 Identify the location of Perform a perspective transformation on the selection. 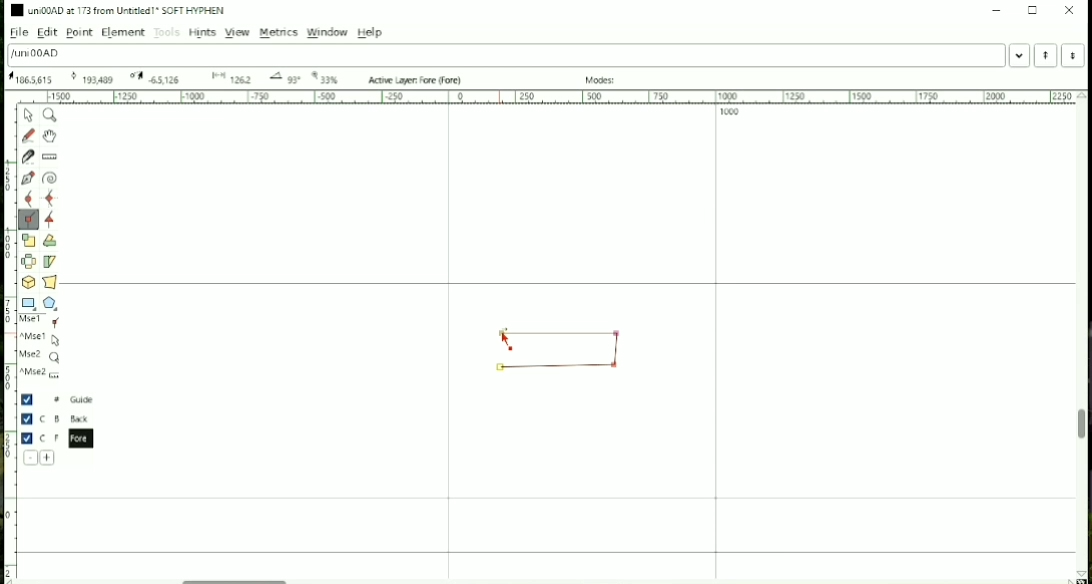
(50, 281).